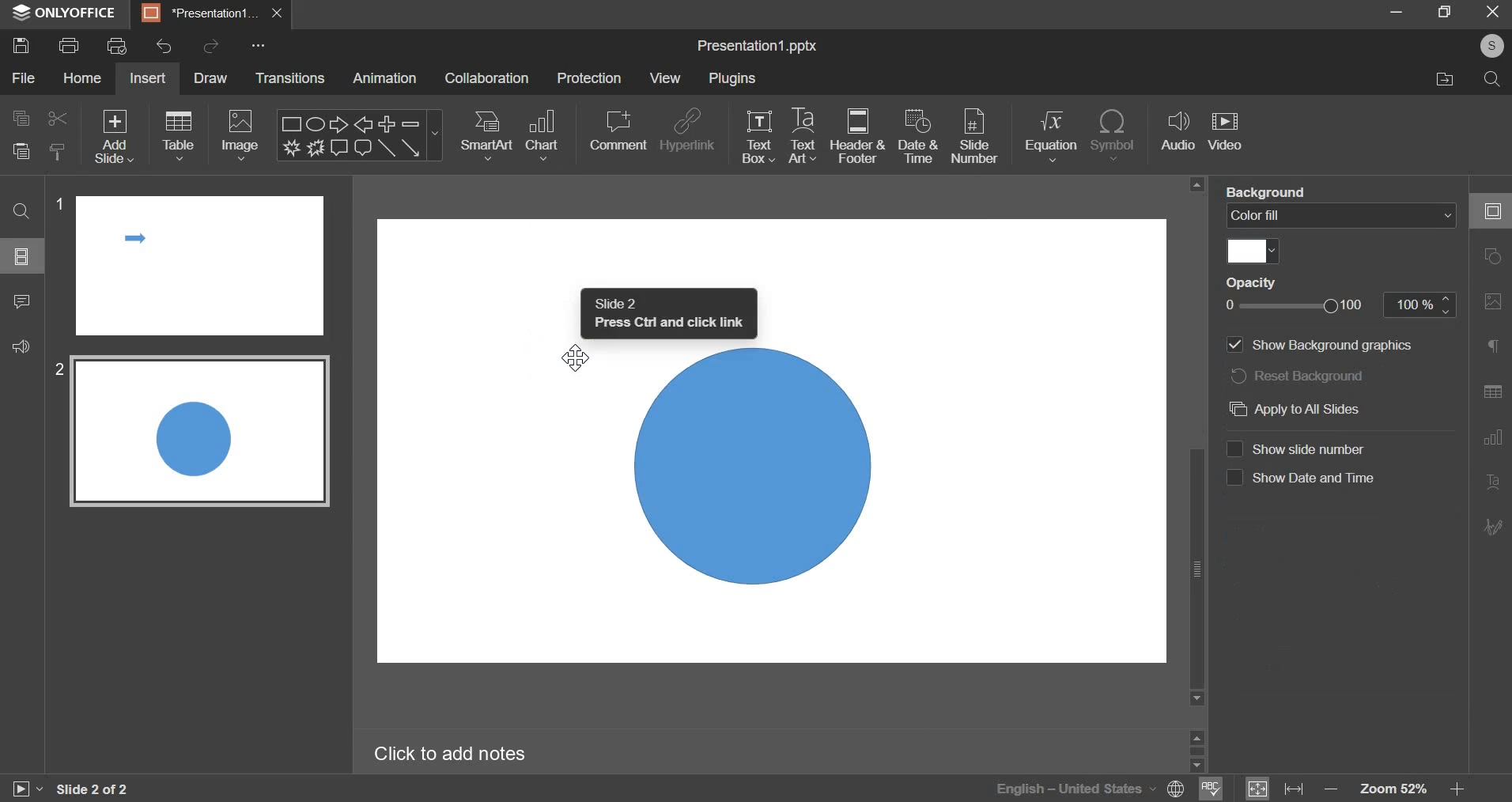  What do you see at coordinates (363, 148) in the screenshot?
I see `Rounded Rectangular callout` at bounding box center [363, 148].